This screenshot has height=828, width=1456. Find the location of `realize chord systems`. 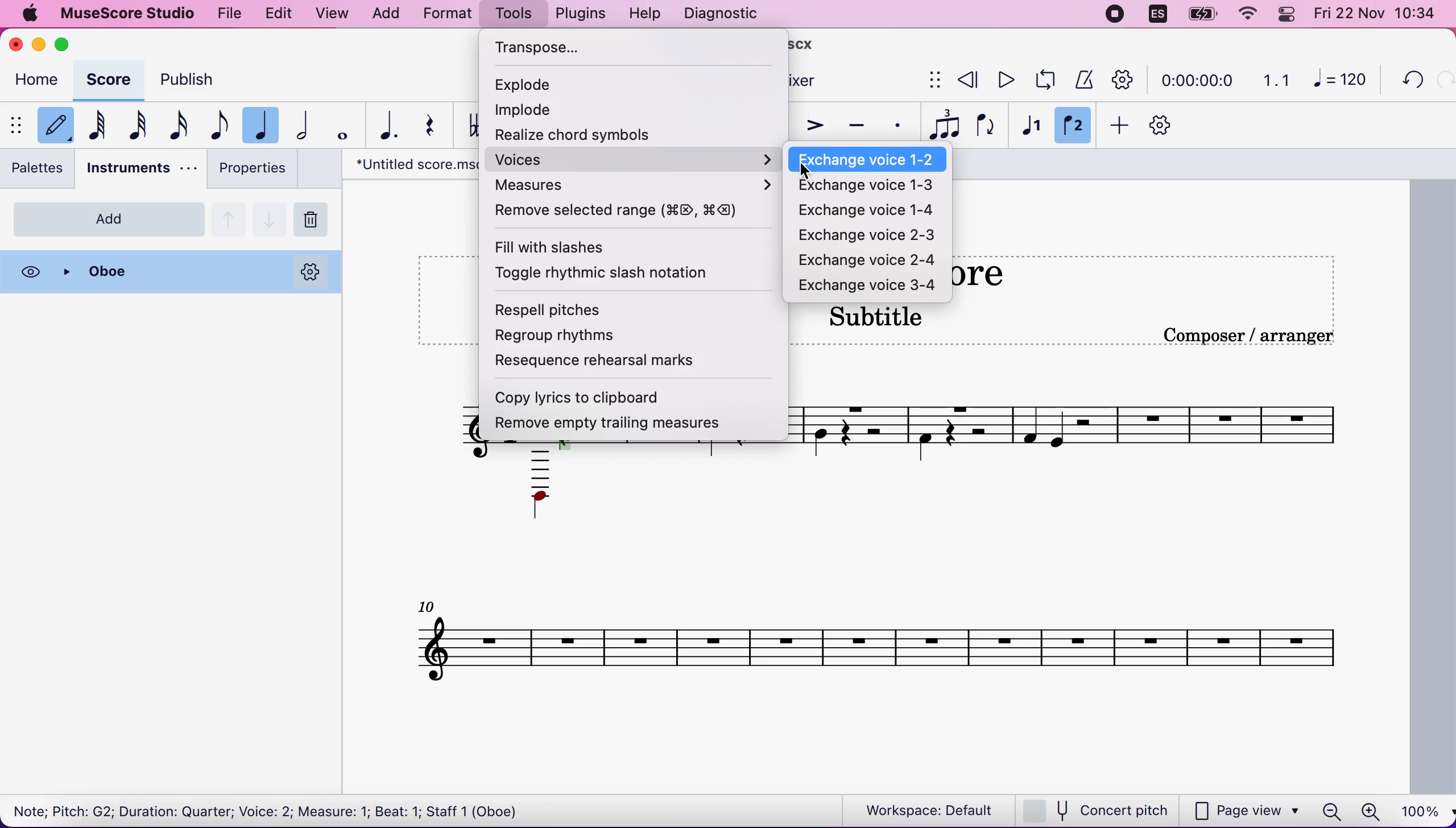

realize chord systems is located at coordinates (599, 135).